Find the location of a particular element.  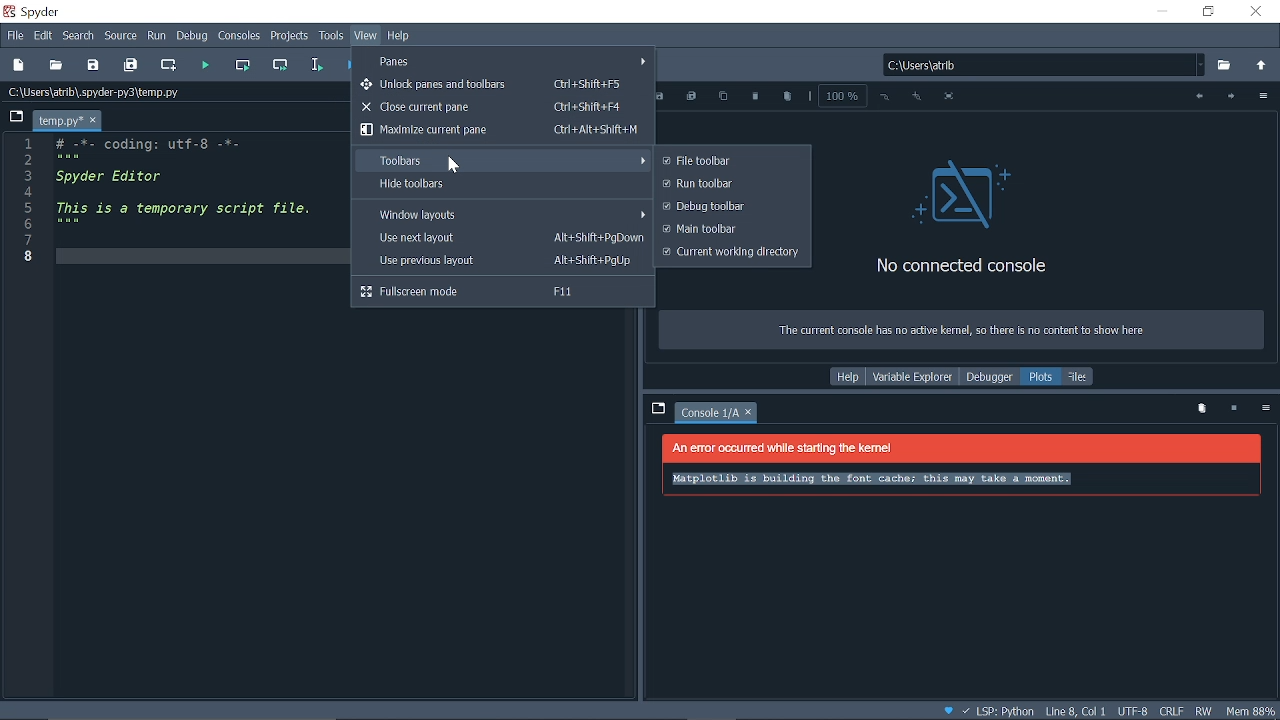

Save all plot  is located at coordinates (692, 97).